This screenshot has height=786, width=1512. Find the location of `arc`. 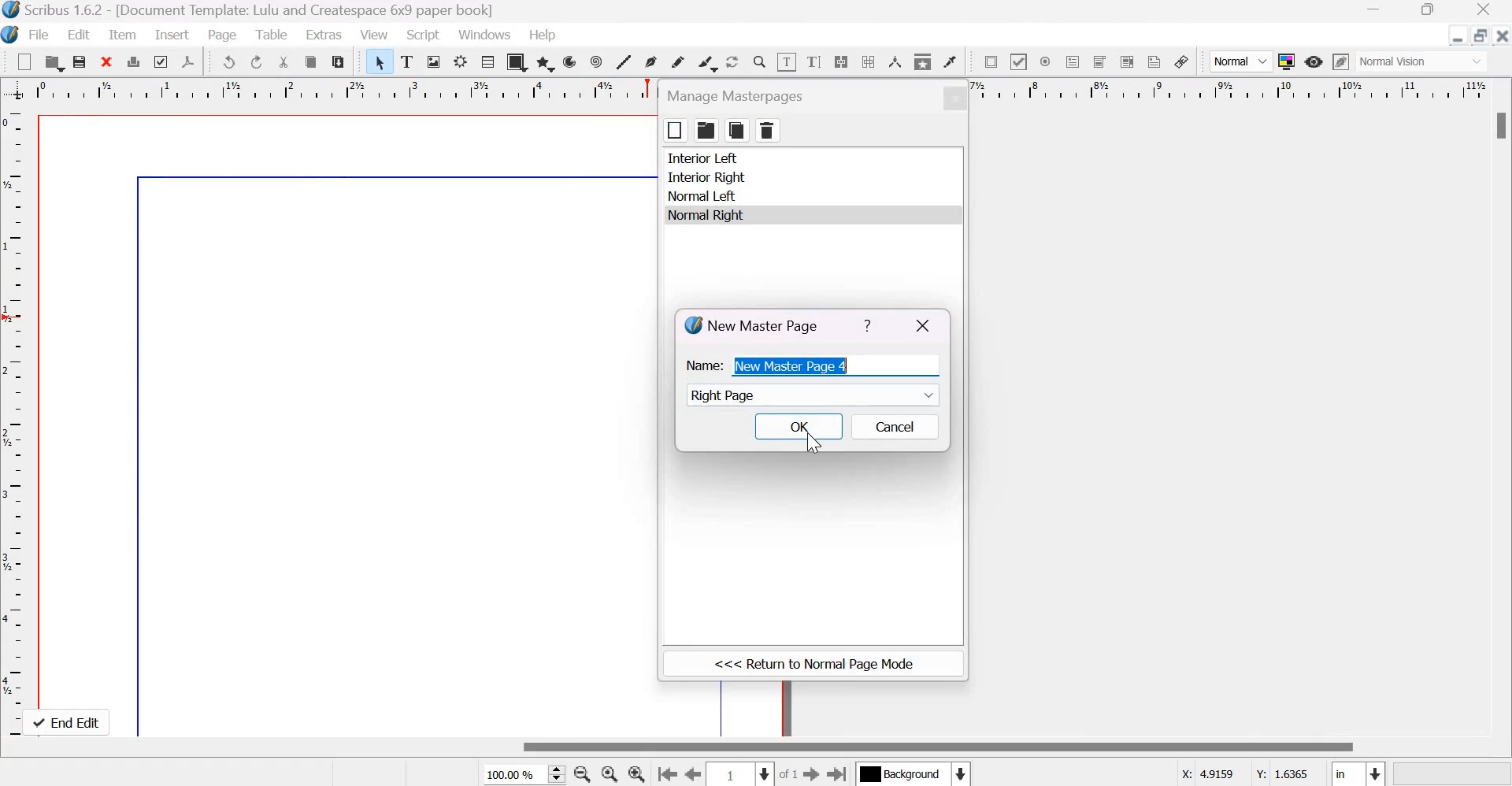

arc is located at coordinates (572, 61).